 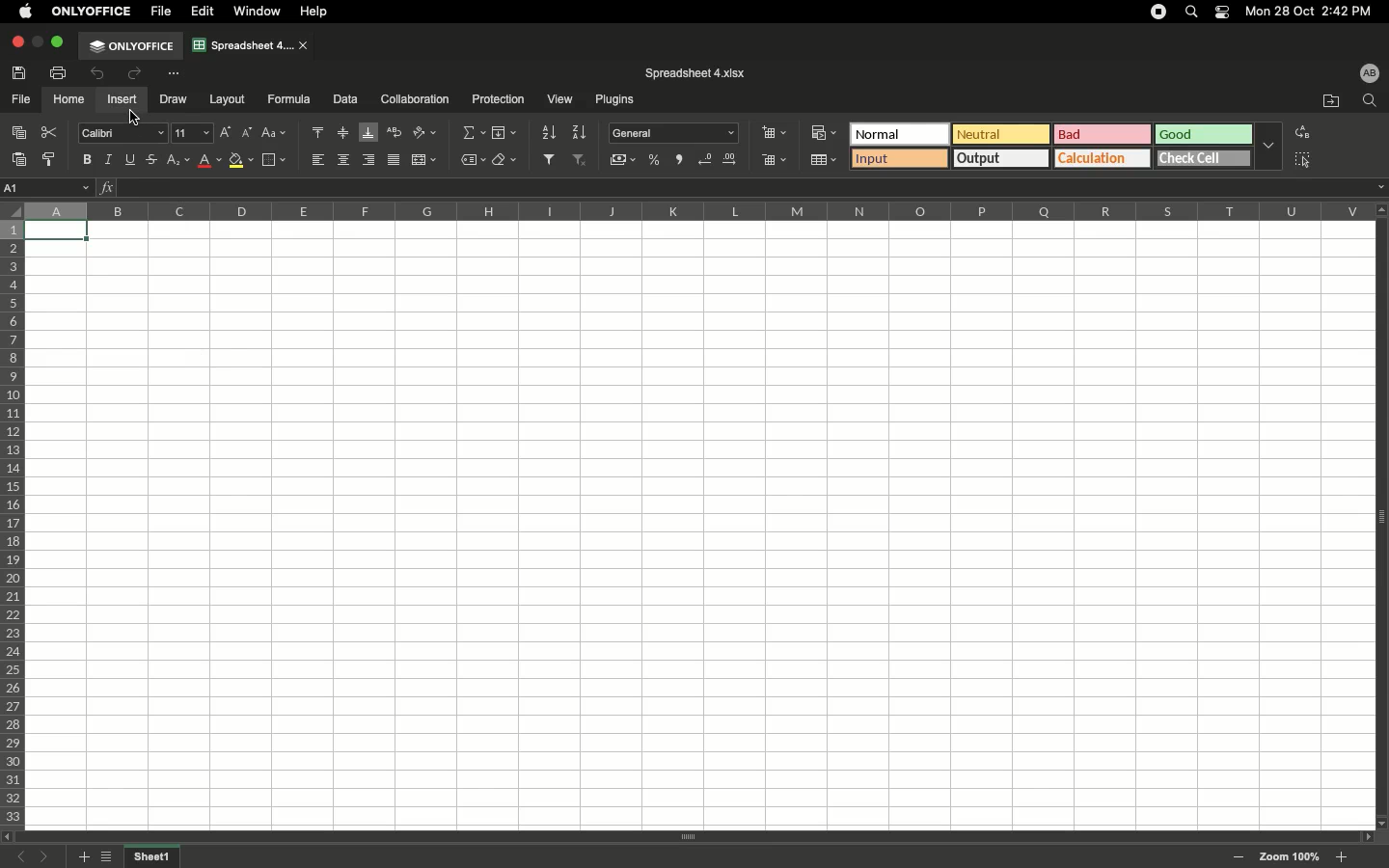 What do you see at coordinates (58, 232) in the screenshot?
I see `Selected cell` at bounding box center [58, 232].